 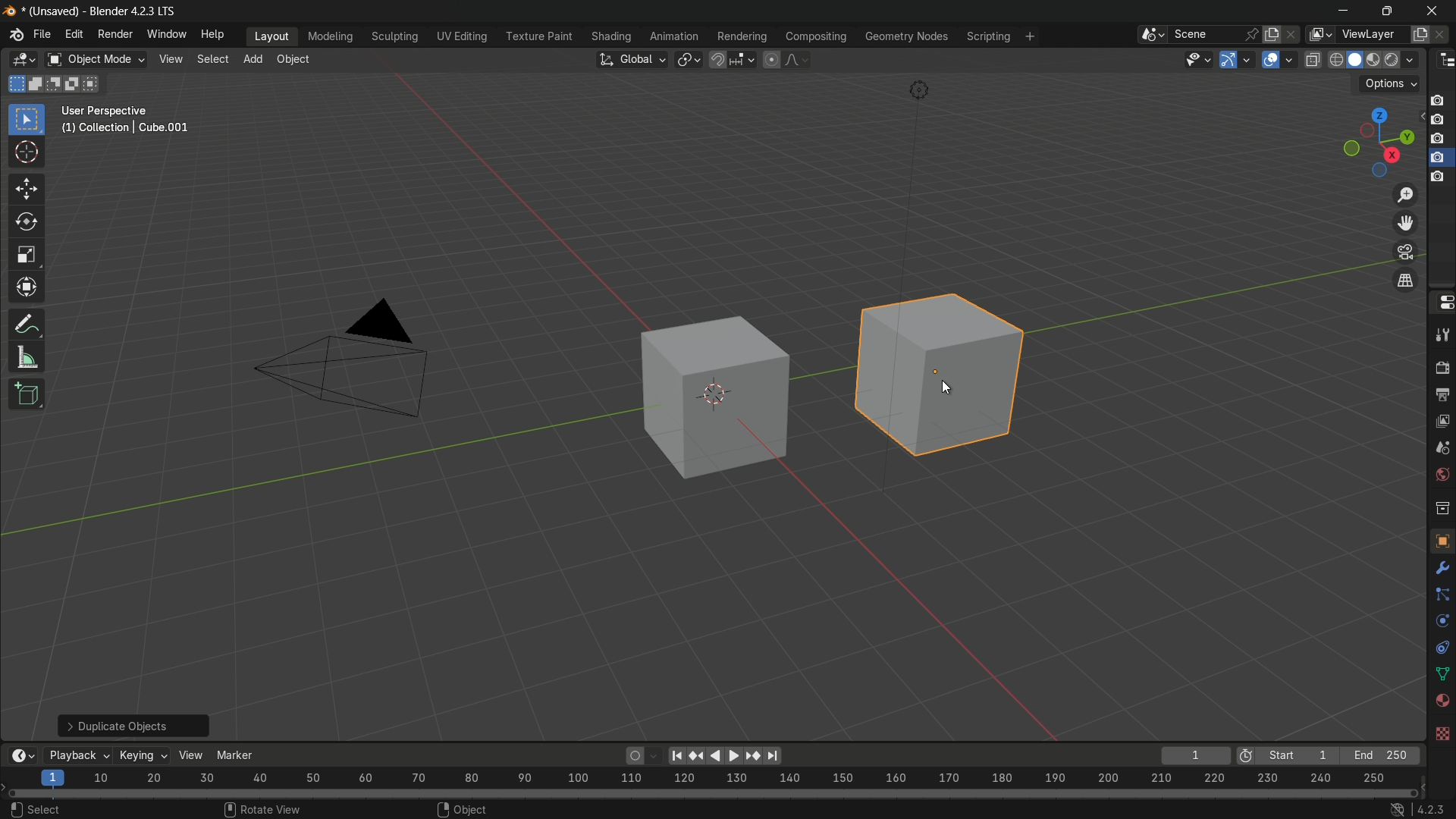 What do you see at coordinates (1419, 808) in the screenshot?
I see `4.2.3` at bounding box center [1419, 808].